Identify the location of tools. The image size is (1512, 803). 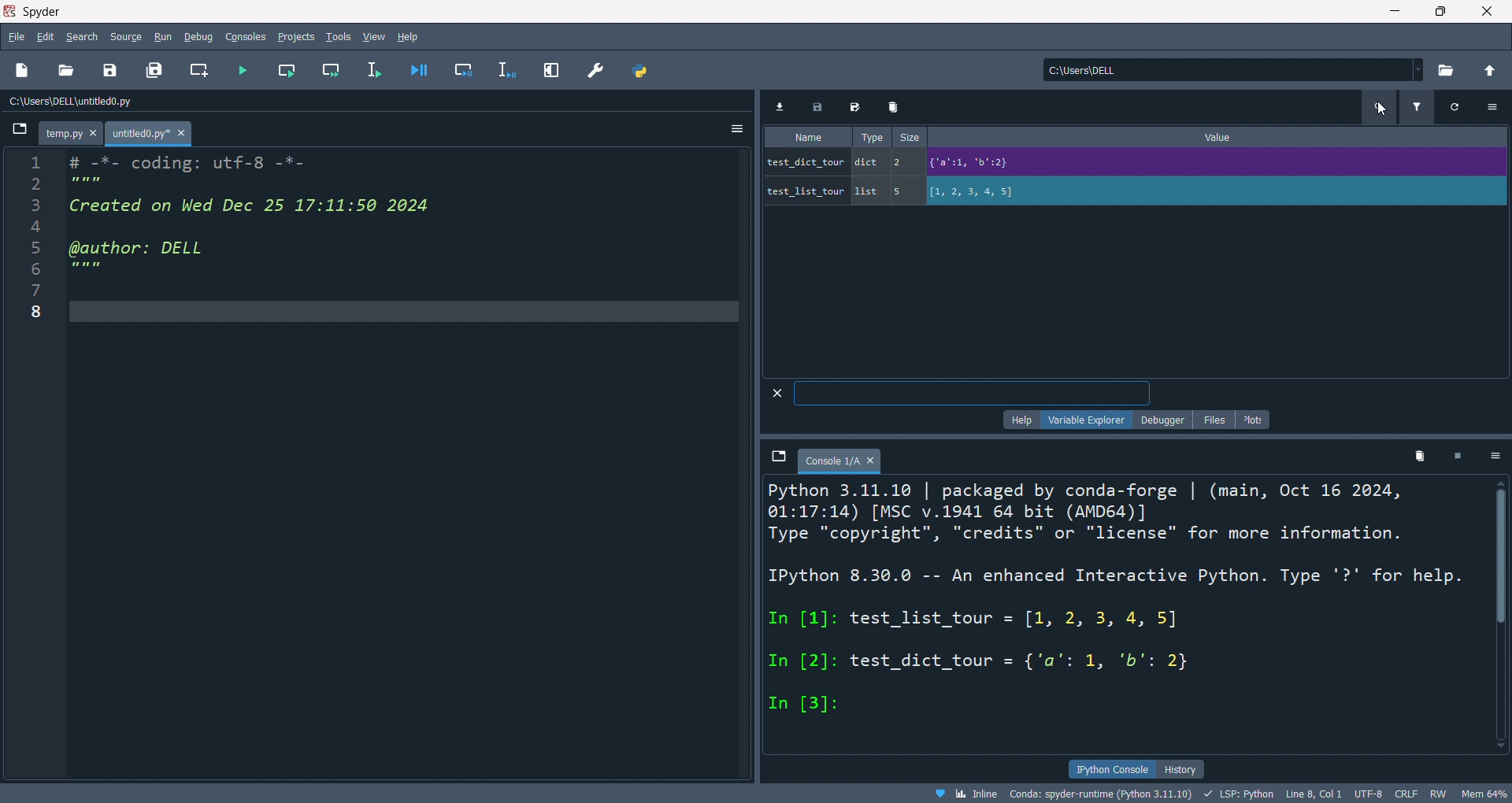
(334, 35).